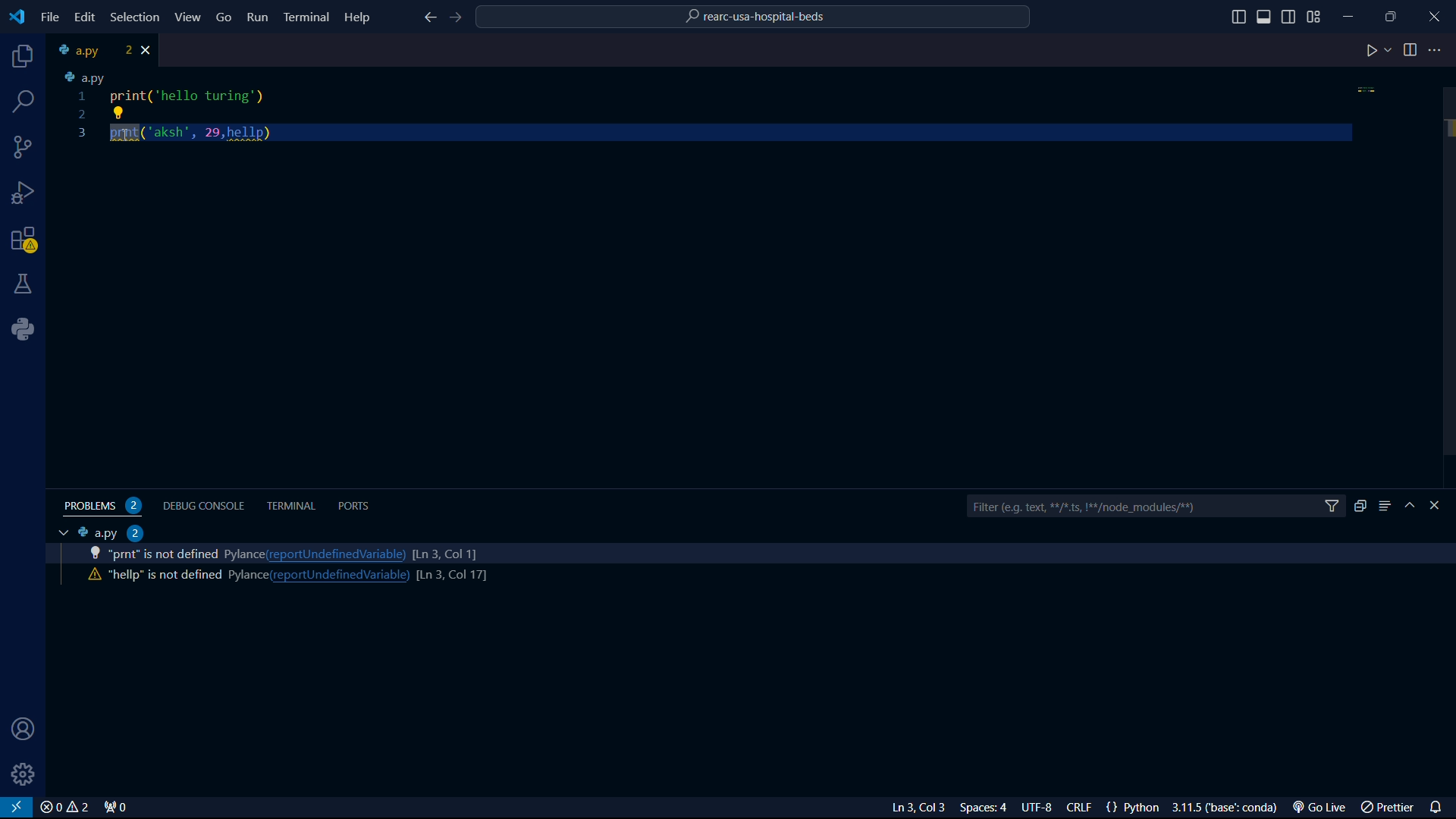 This screenshot has width=1456, height=819. Describe the element at coordinates (361, 16) in the screenshot. I see `Help` at that location.